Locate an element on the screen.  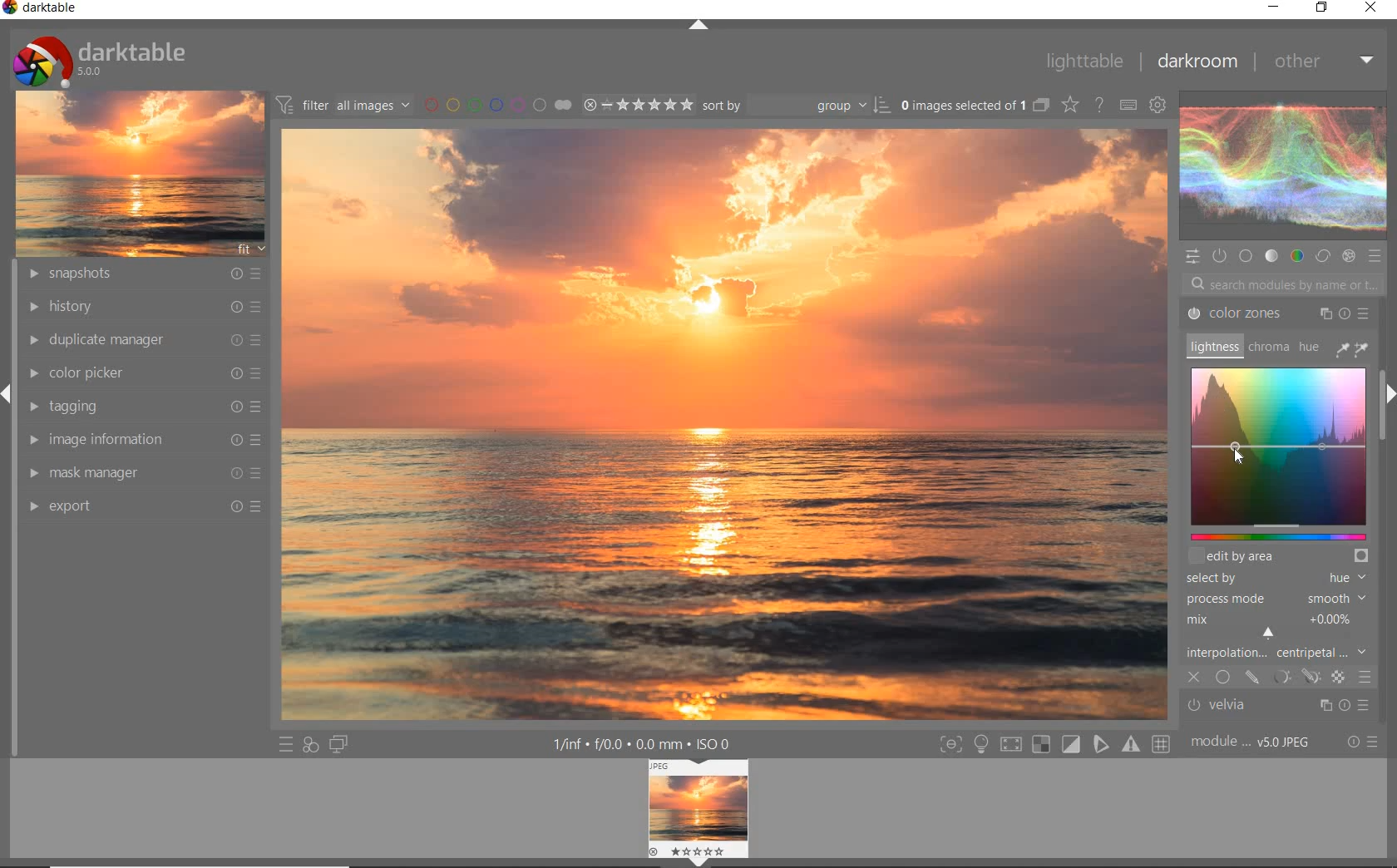
QUICK ACCESS FOR APPLYING ANY OF YOUR STYLE is located at coordinates (309, 746).